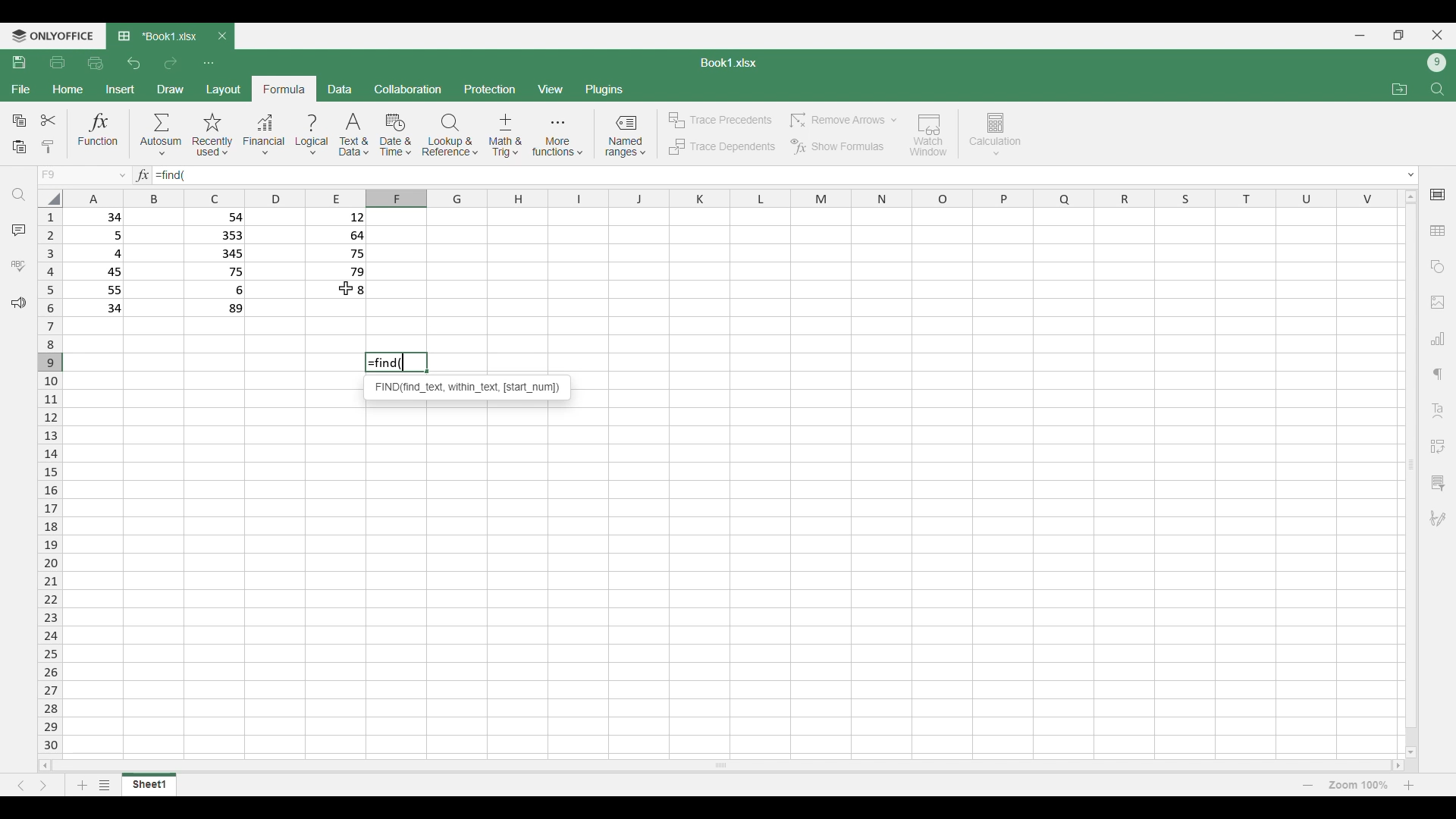 The height and width of the screenshot is (819, 1456). I want to click on Sheet name, so click(729, 63).